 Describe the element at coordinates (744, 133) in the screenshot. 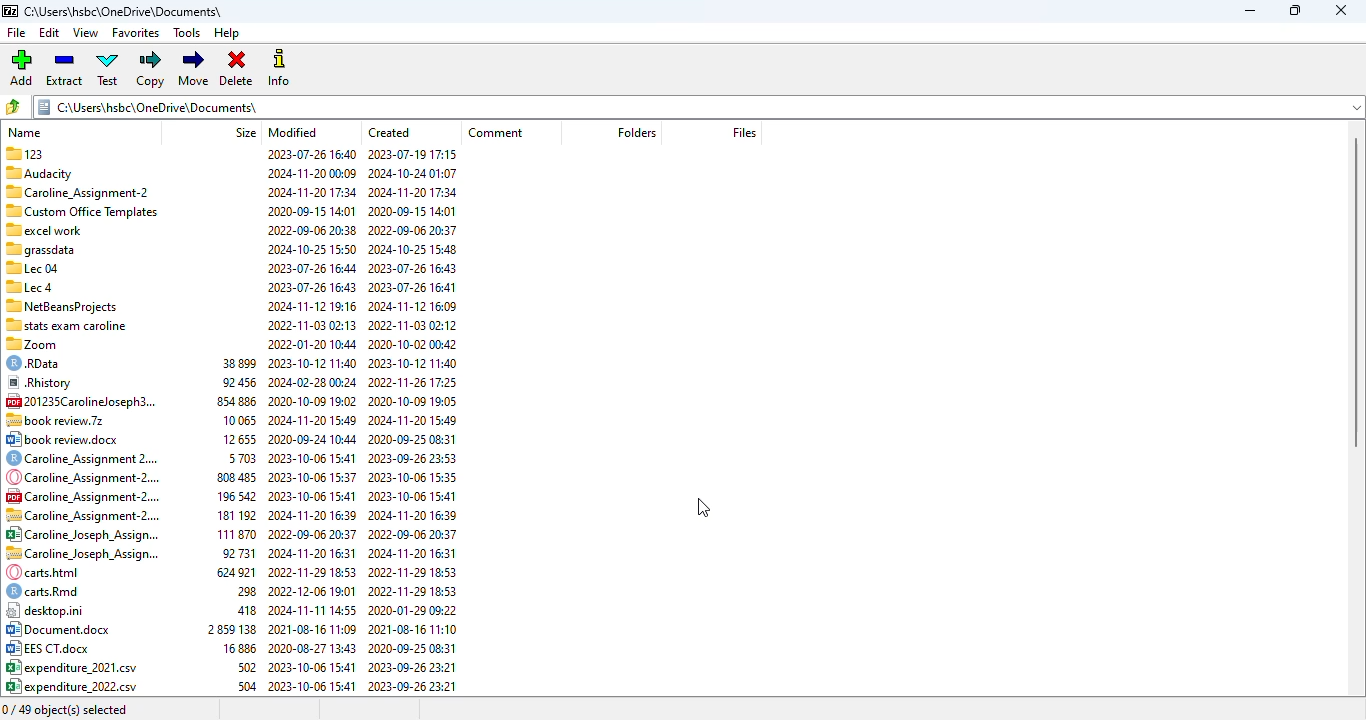

I see `files` at that location.